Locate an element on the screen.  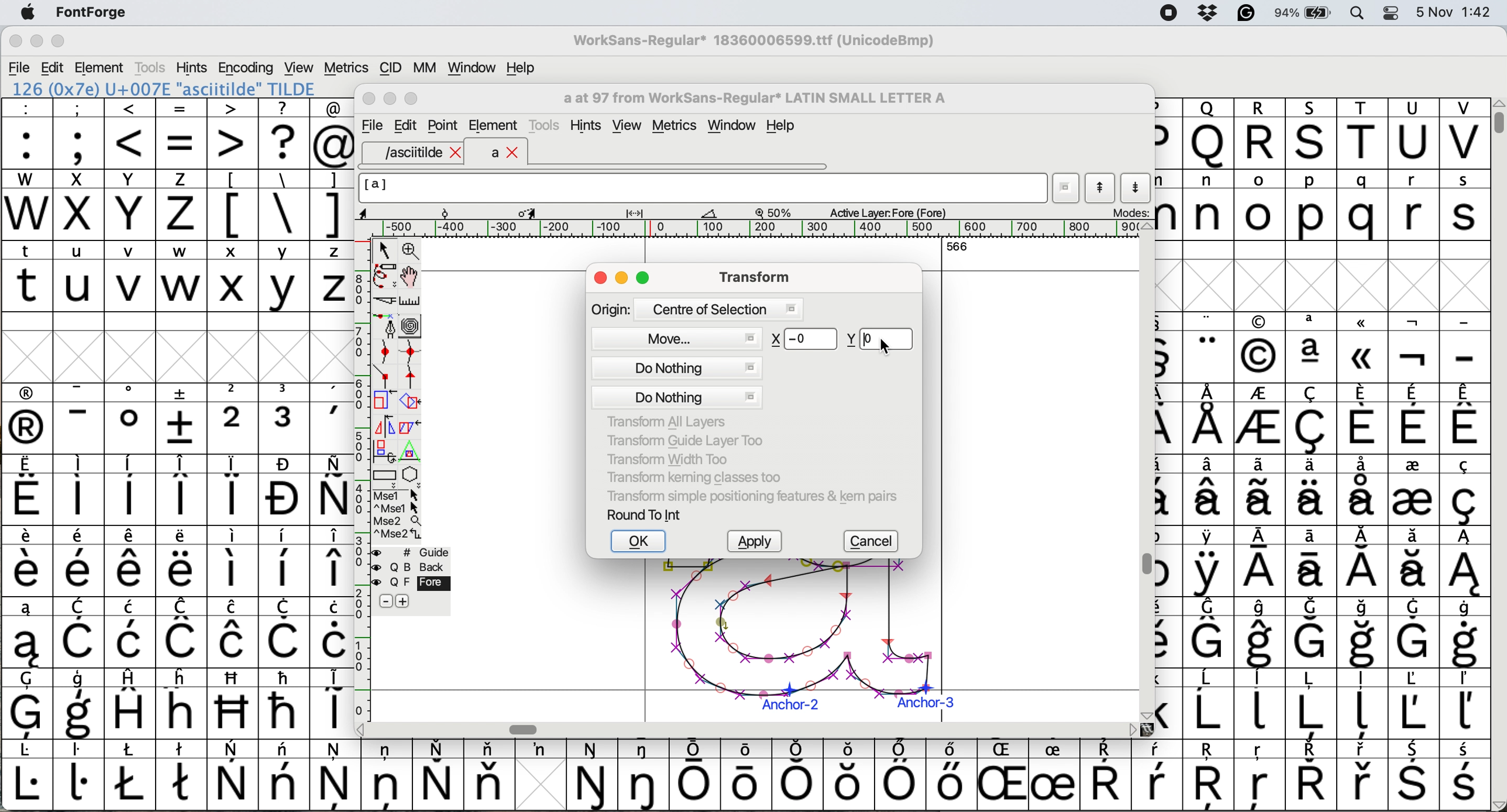
do nothing is located at coordinates (675, 381).